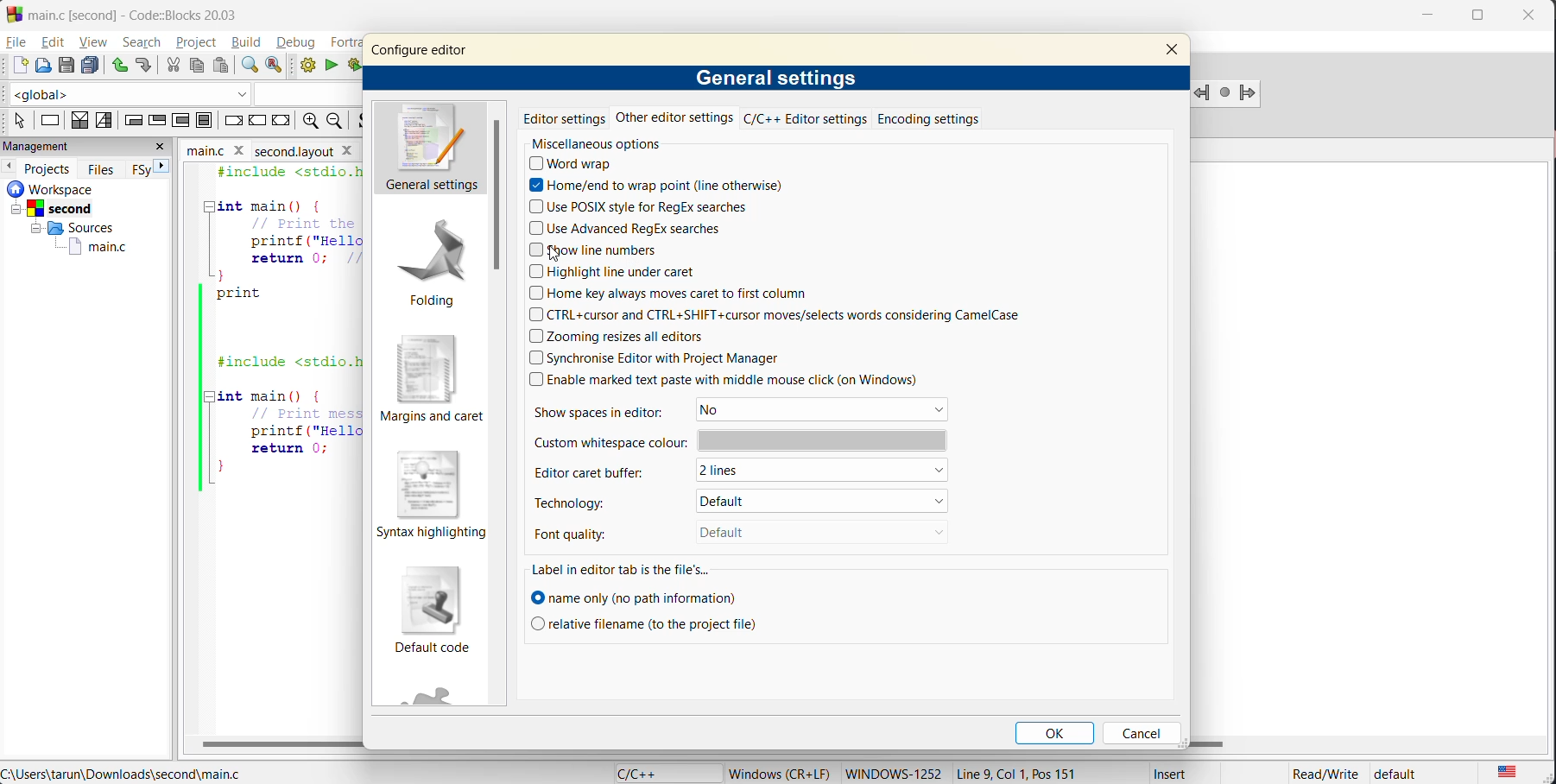  Describe the element at coordinates (601, 250) in the screenshot. I see `show line numbers` at that location.